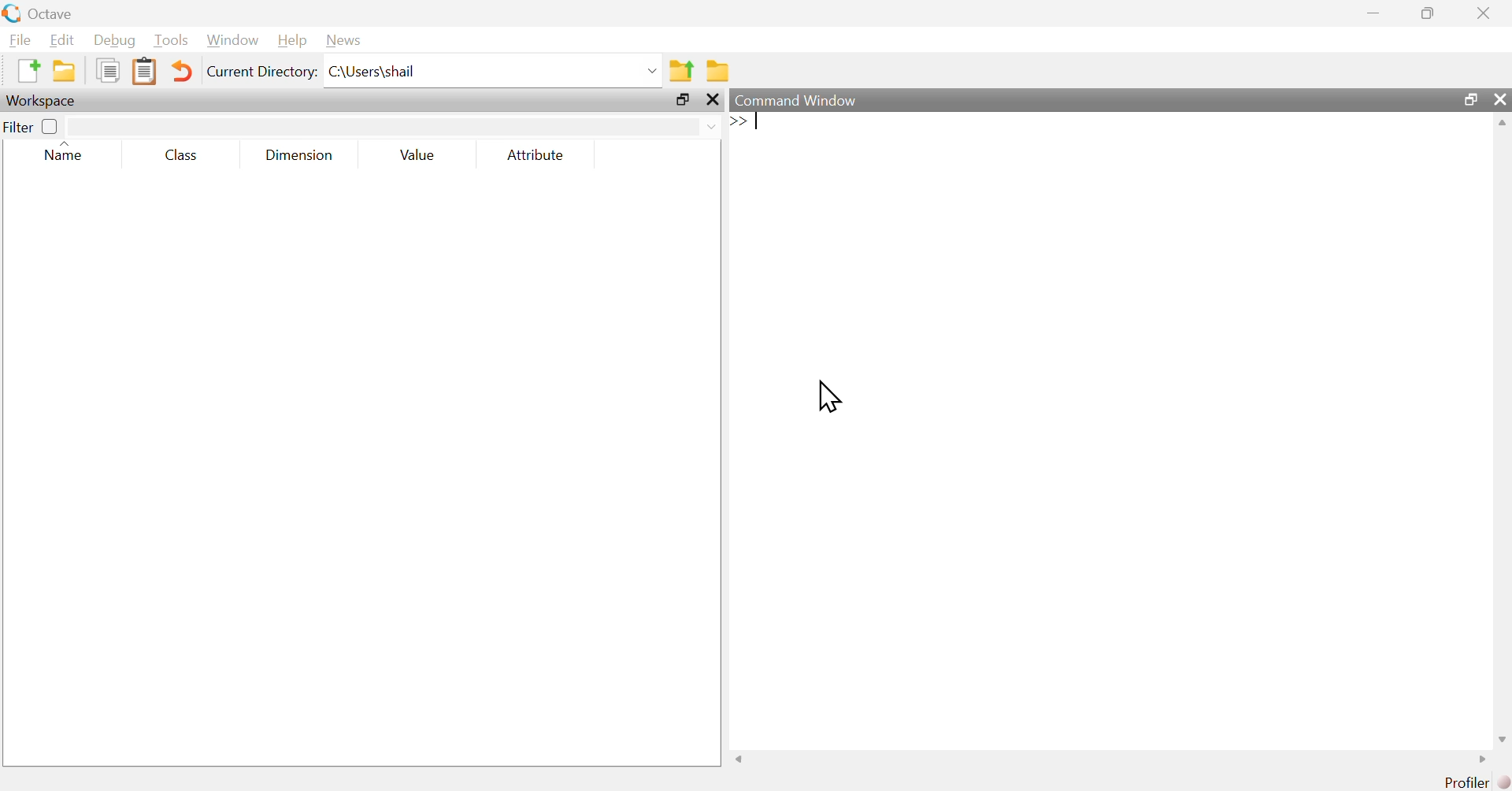 This screenshot has width=1512, height=791. I want to click on C:\Users\shail, so click(493, 71).